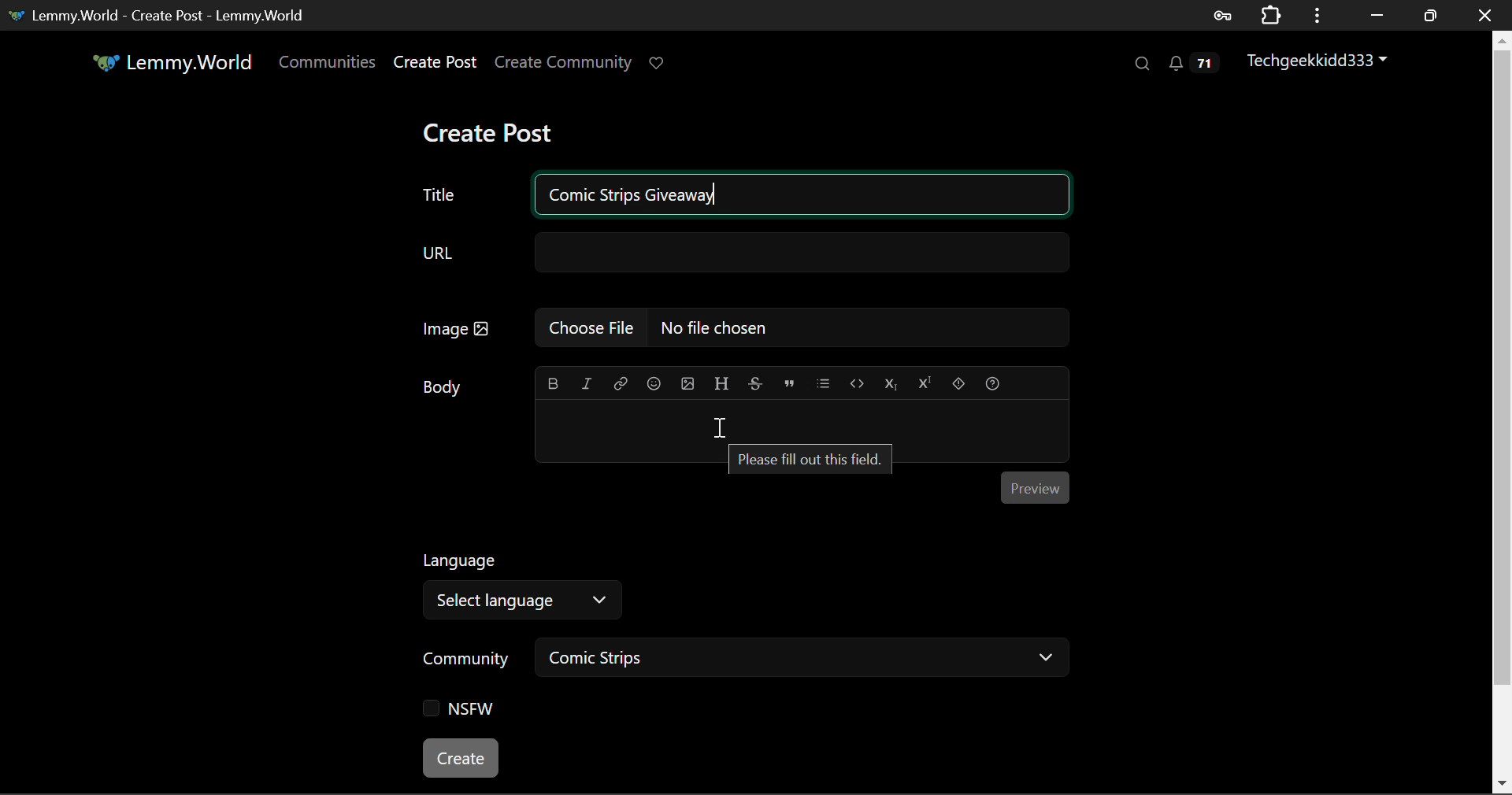  Describe the element at coordinates (462, 558) in the screenshot. I see `Language` at that location.